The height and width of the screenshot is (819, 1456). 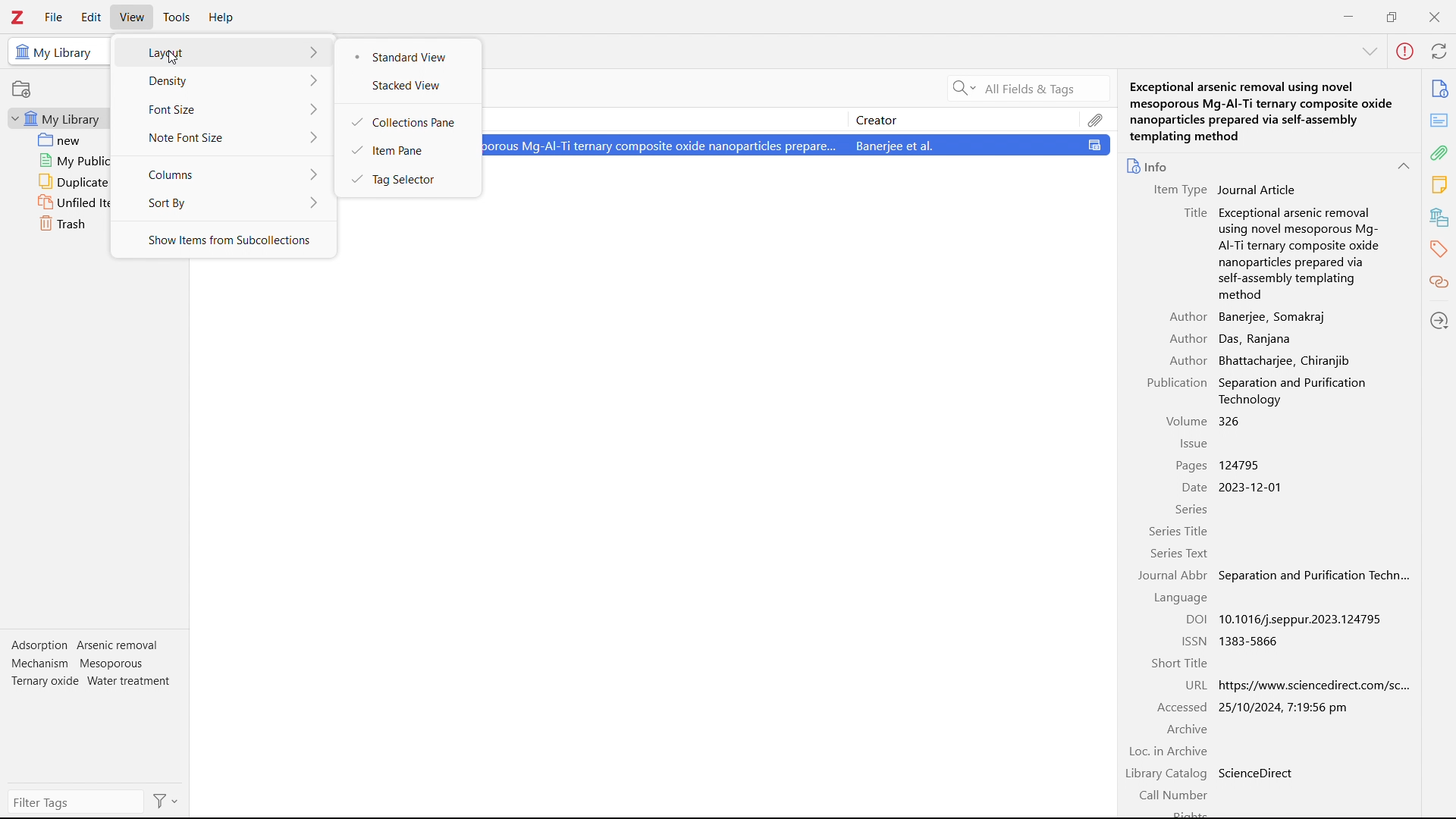 I want to click on Series Title, so click(x=1178, y=530).